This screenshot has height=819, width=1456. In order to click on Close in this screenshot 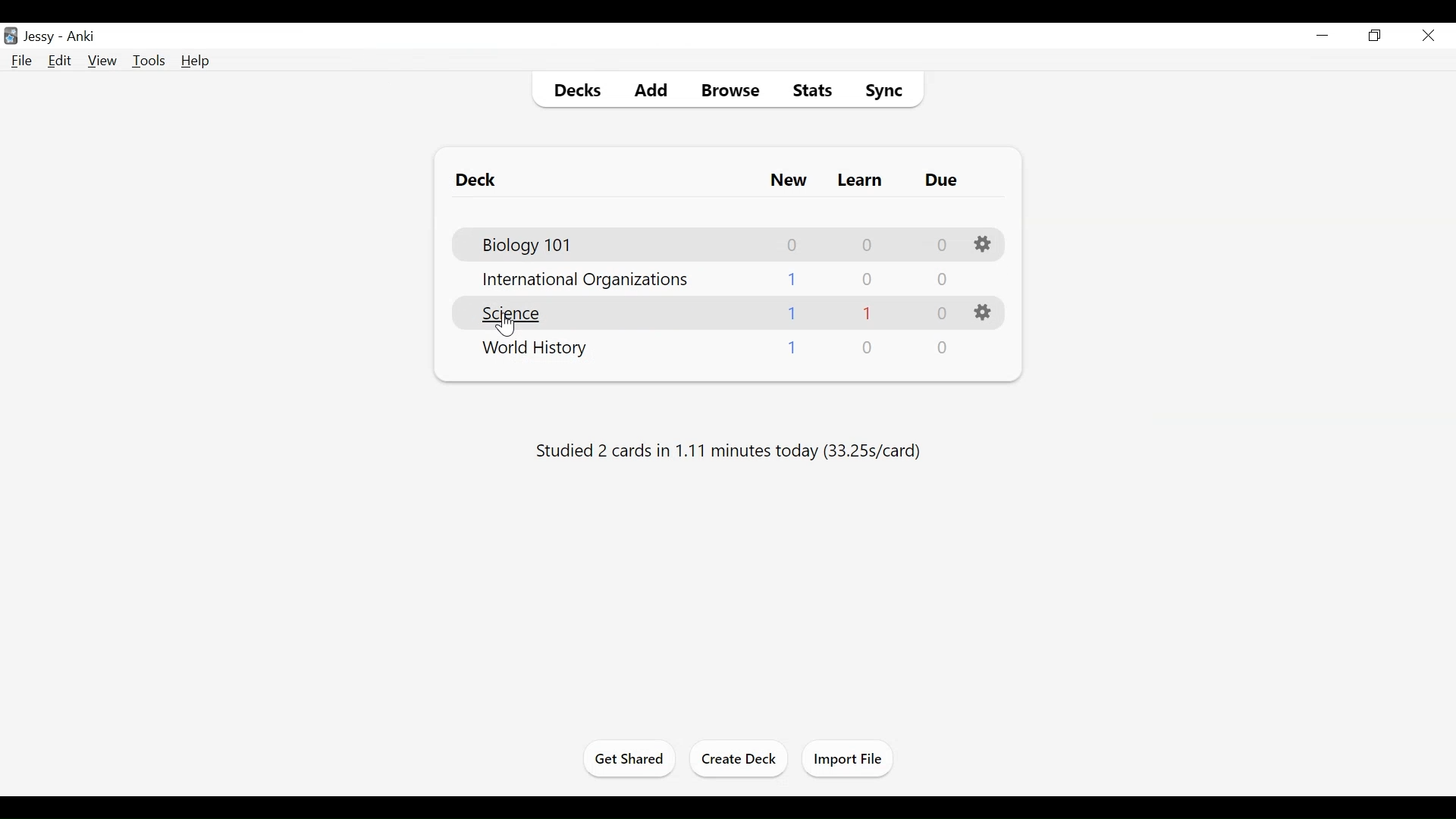, I will do `click(1426, 37)`.